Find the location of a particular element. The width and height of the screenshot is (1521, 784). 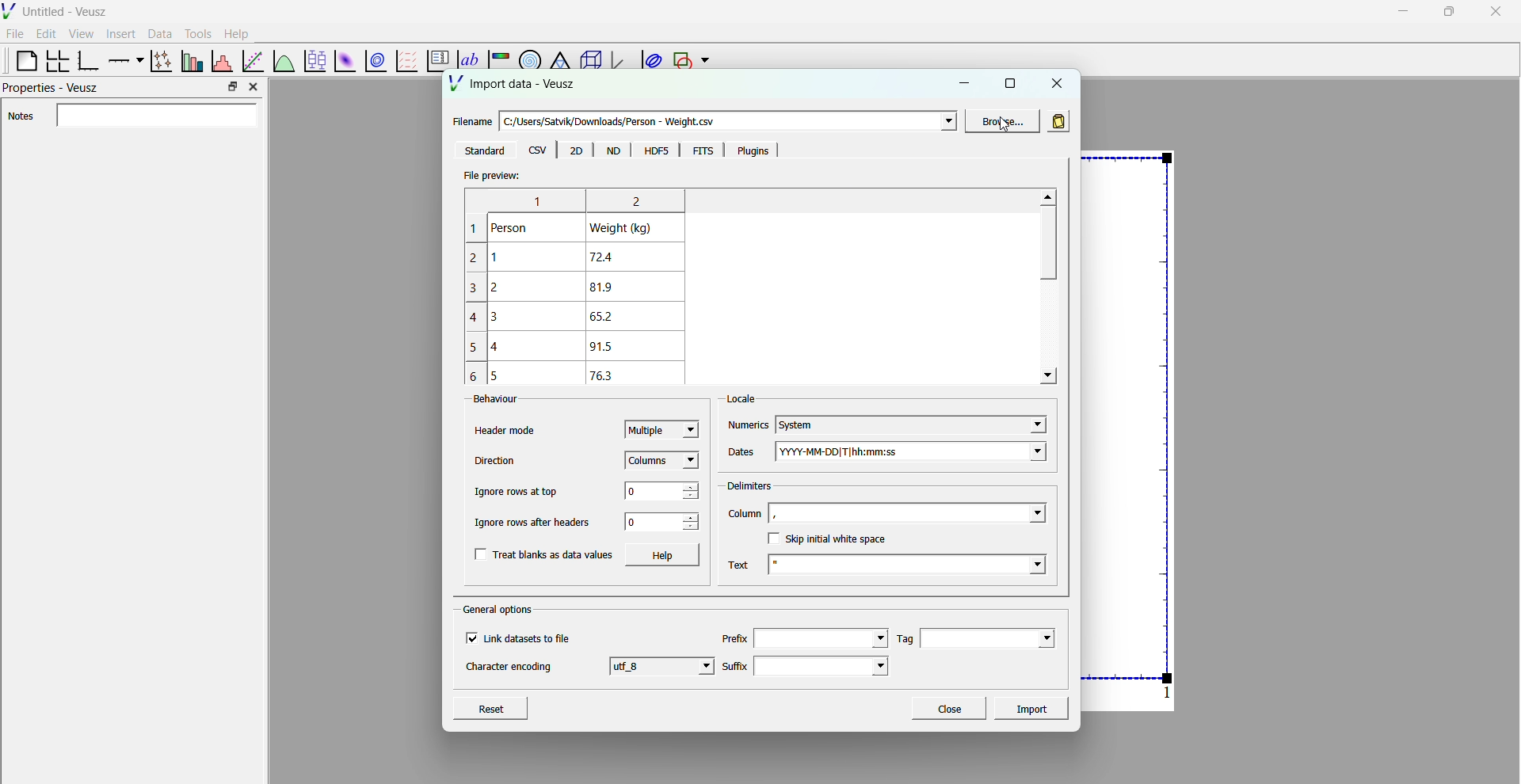

Plugins is located at coordinates (749, 150).